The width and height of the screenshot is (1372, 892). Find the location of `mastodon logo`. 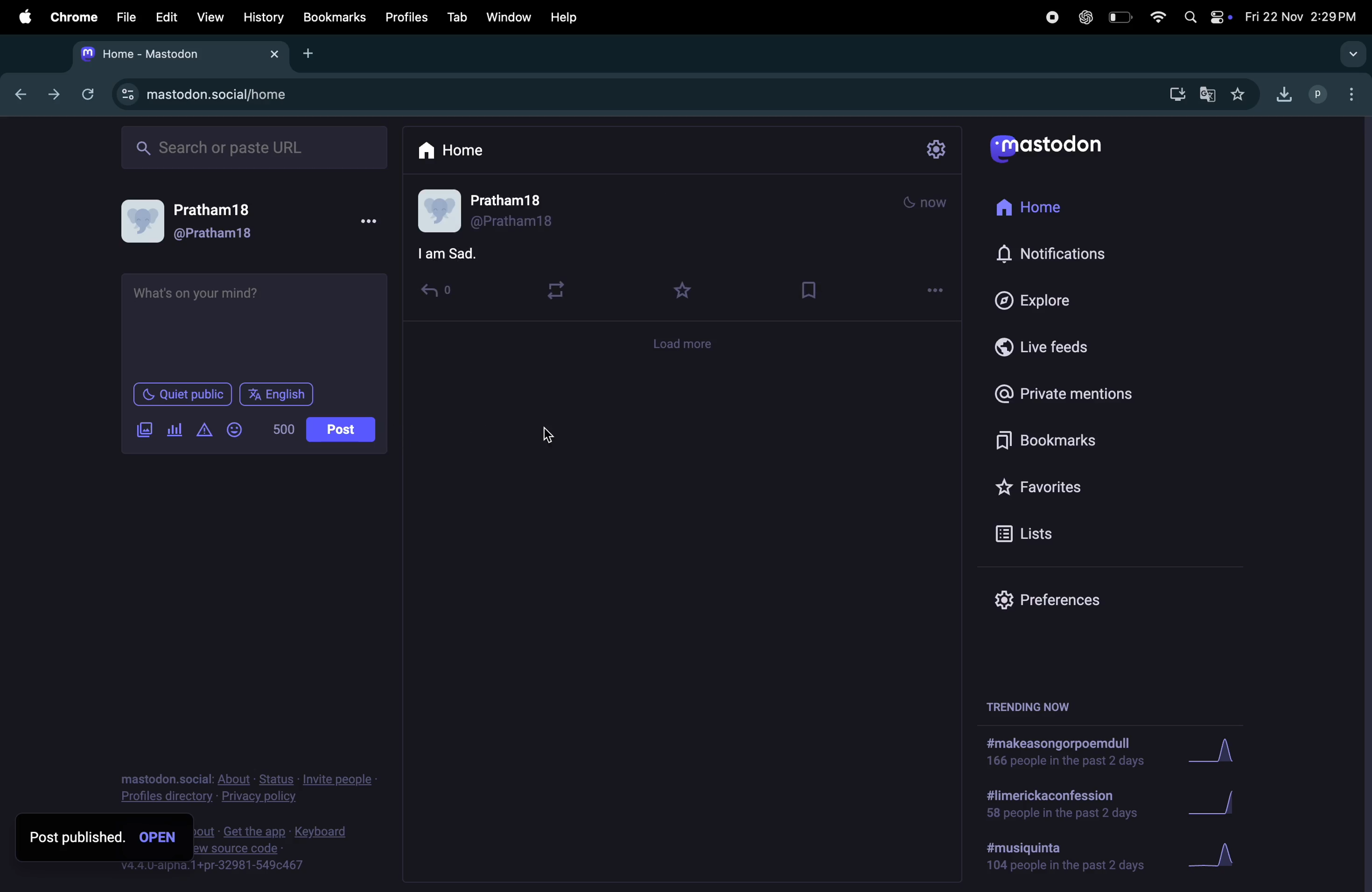

mastodon logo is located at coordinates (1060, 146).